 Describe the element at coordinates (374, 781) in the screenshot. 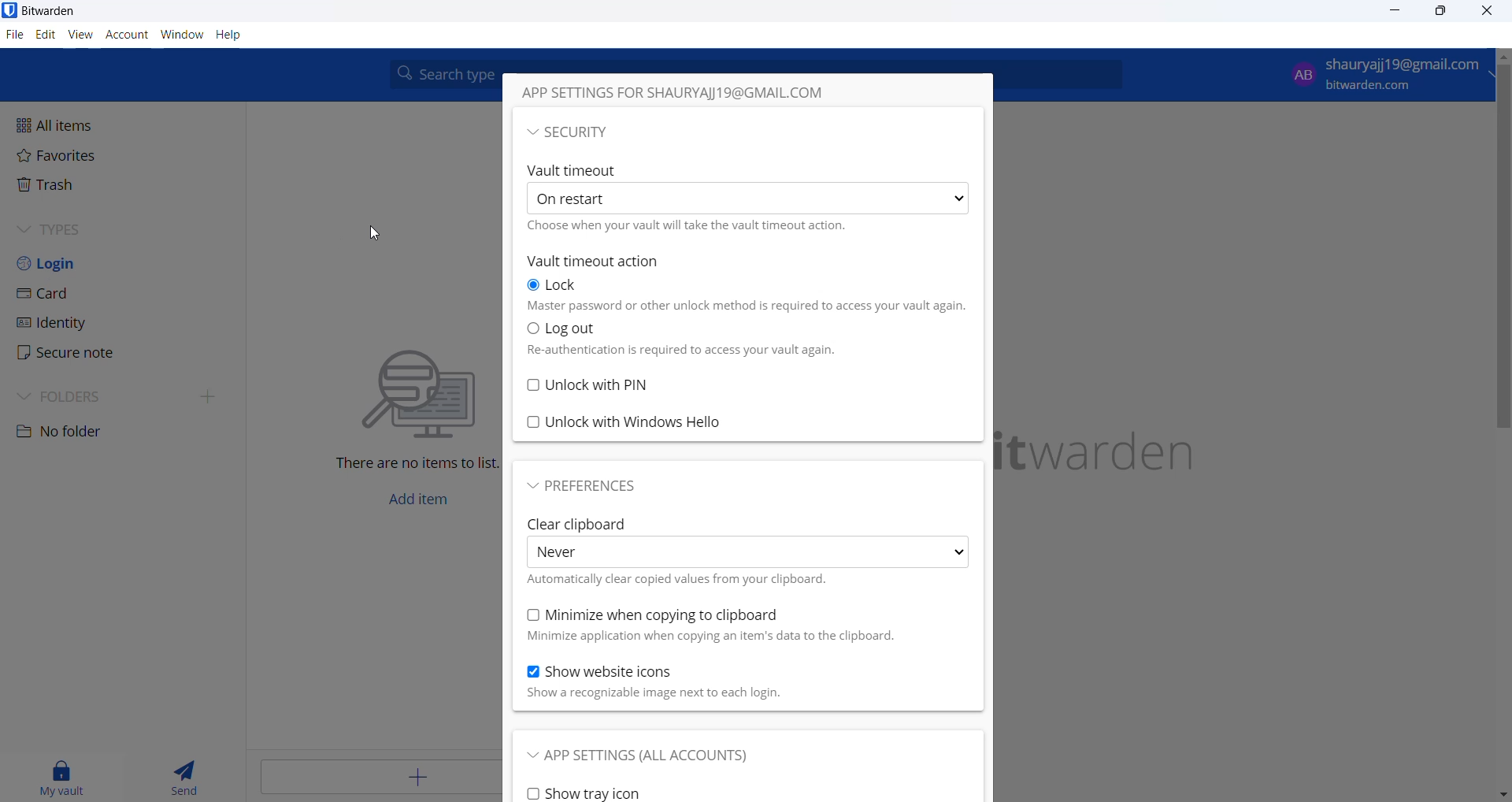

I see `add item` at that location.